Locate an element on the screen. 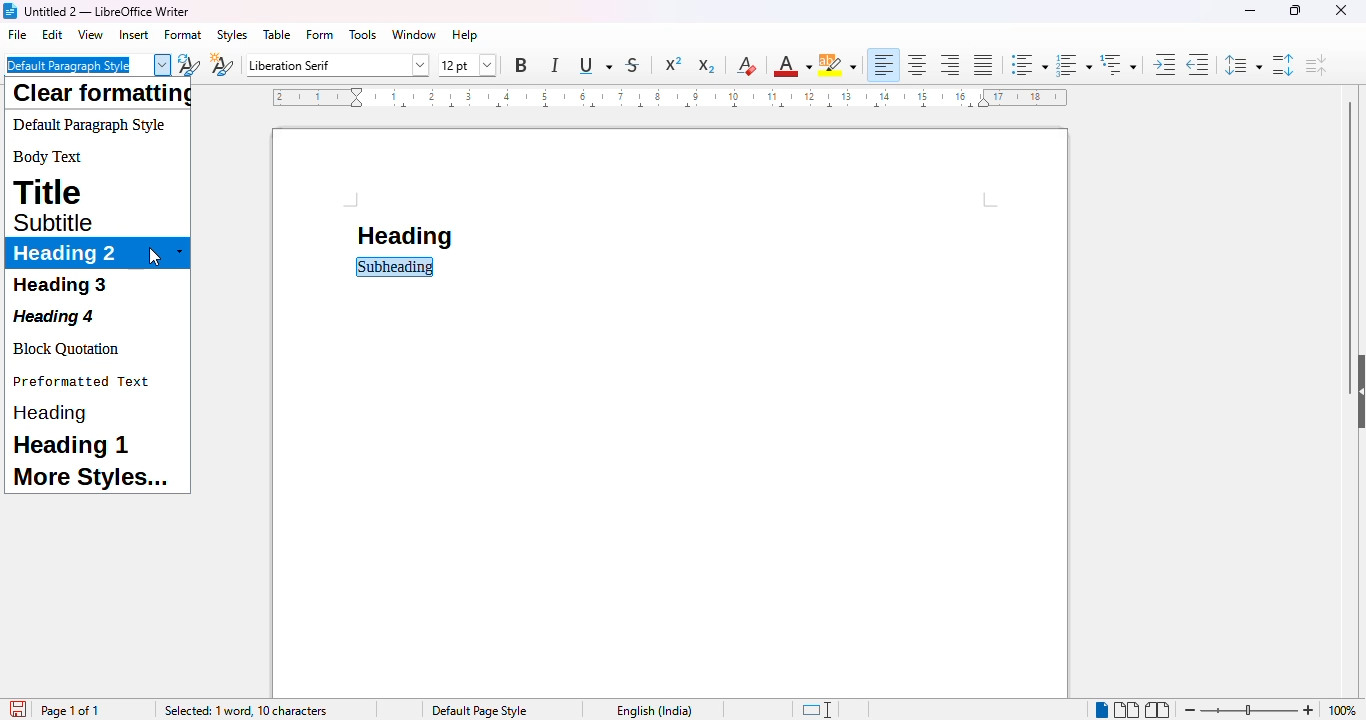  new style from selection is located at coordinates (222, 65).